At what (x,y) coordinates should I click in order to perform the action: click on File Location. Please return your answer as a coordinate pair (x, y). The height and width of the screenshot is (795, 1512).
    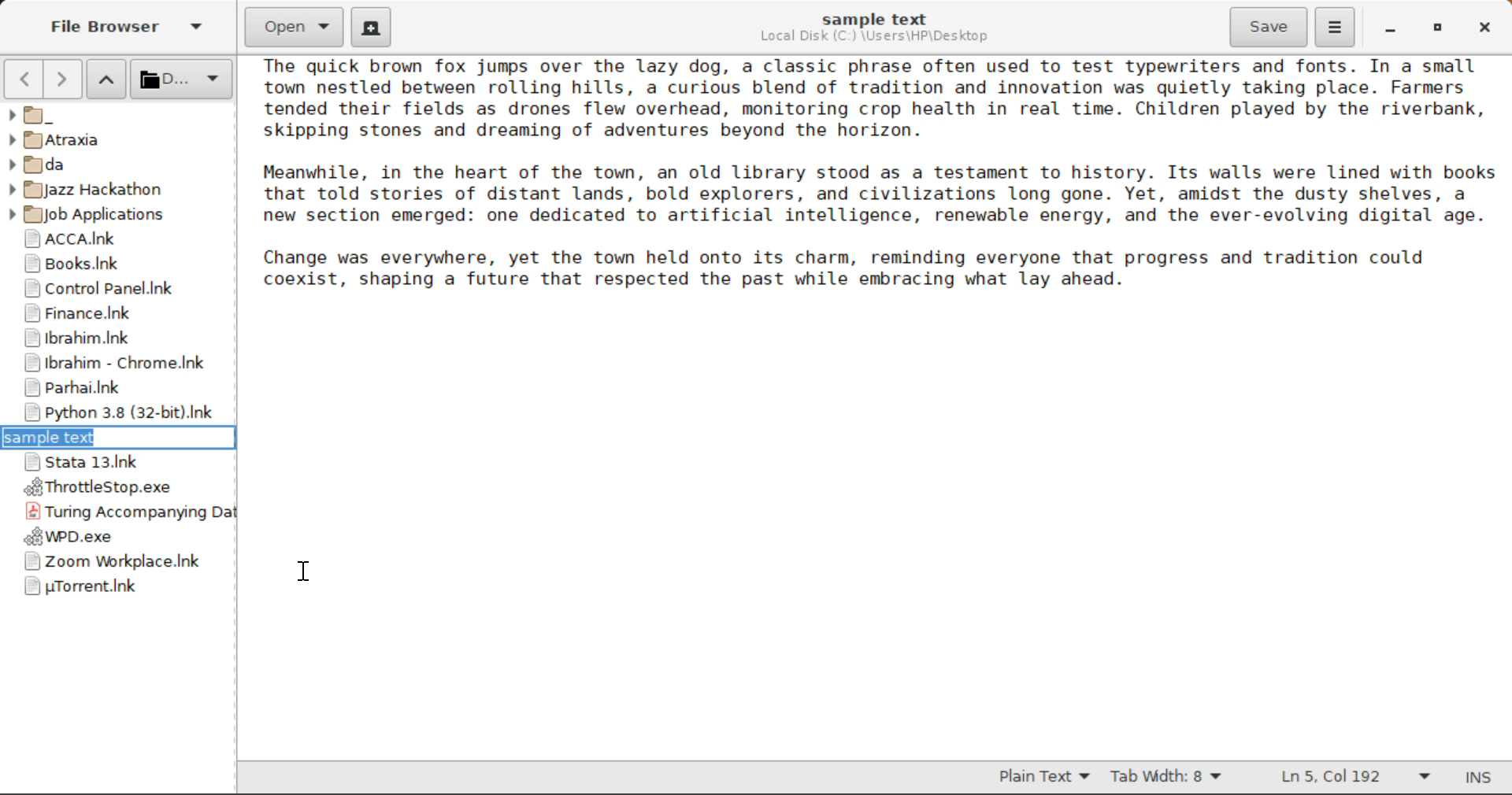
    Looking at the image, I should click on (877, 38).